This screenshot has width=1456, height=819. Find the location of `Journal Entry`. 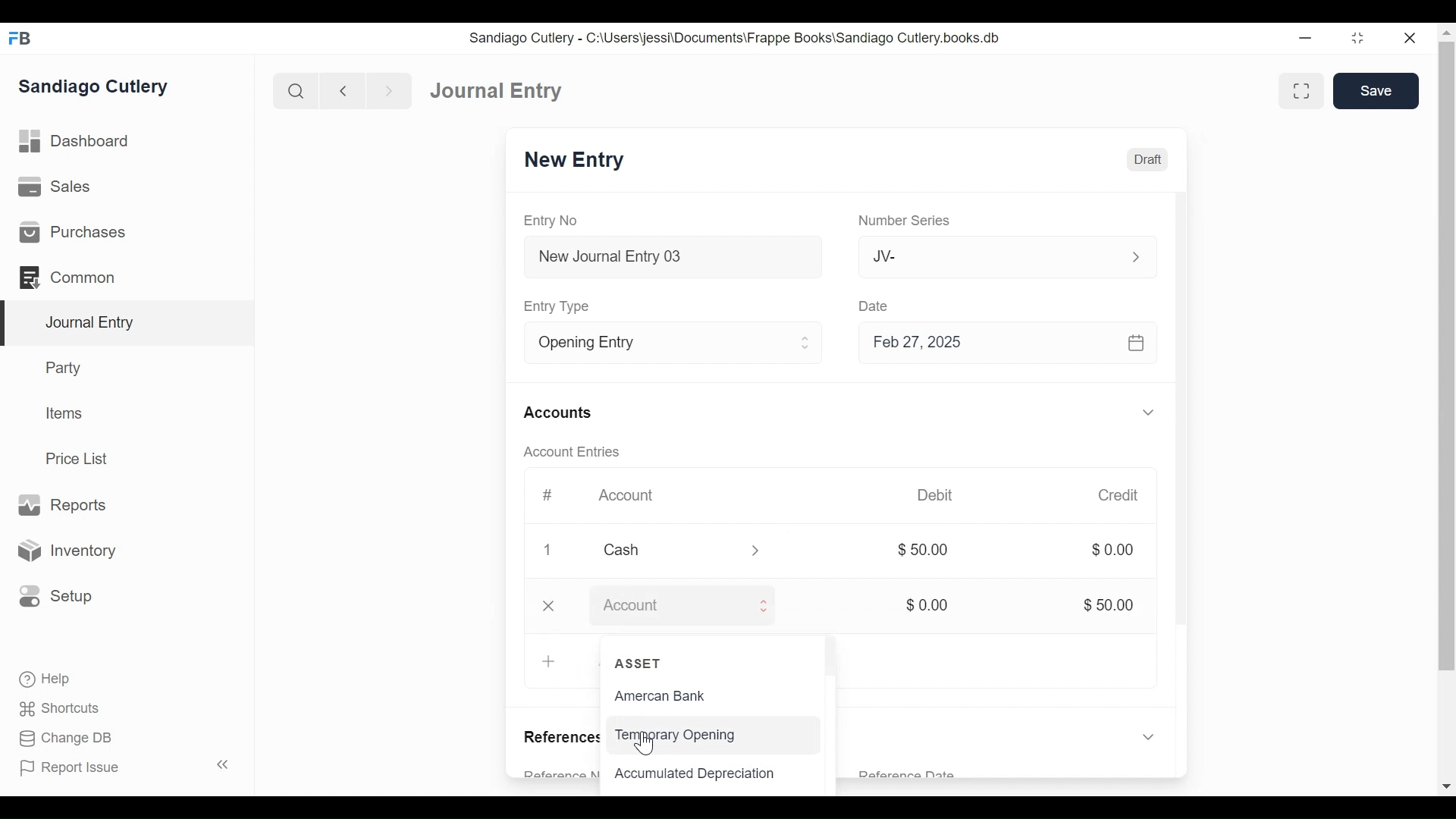

Journal Entry is located at coordinates (124, 324).